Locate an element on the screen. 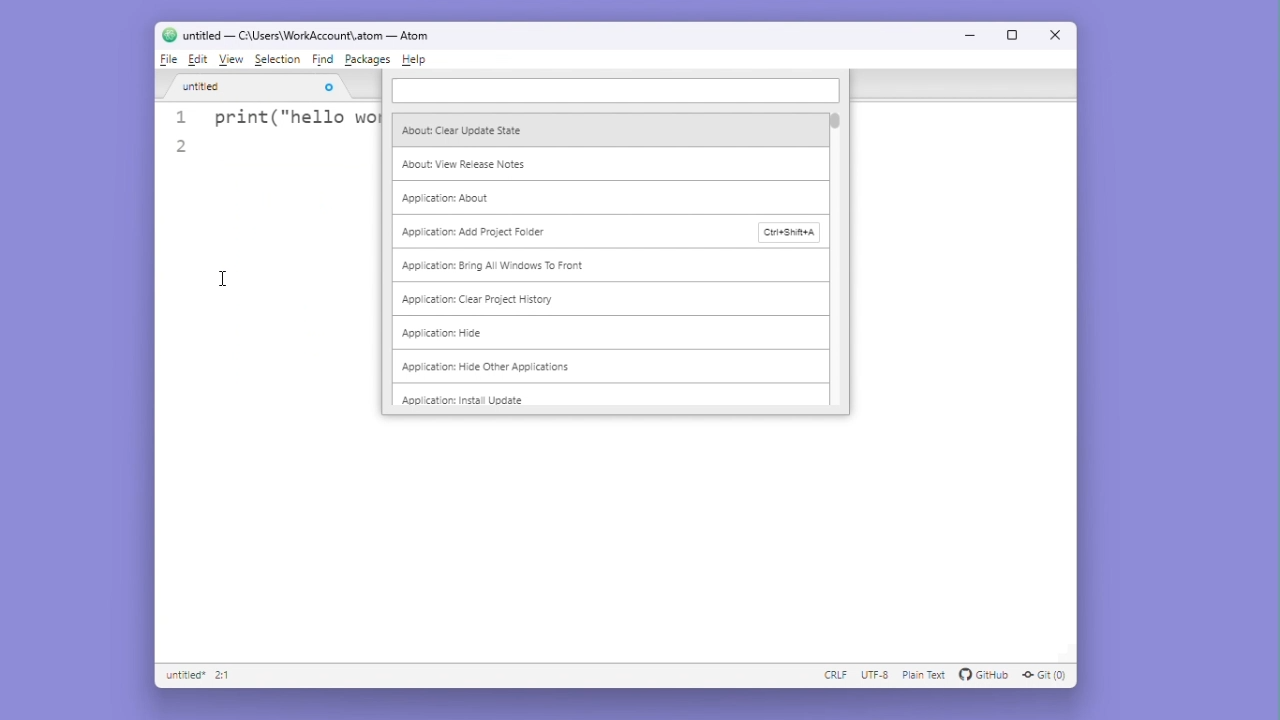 The width and height of the screenshot is (1280, 720). Application hide other applications is located at coordinates (484, 367).